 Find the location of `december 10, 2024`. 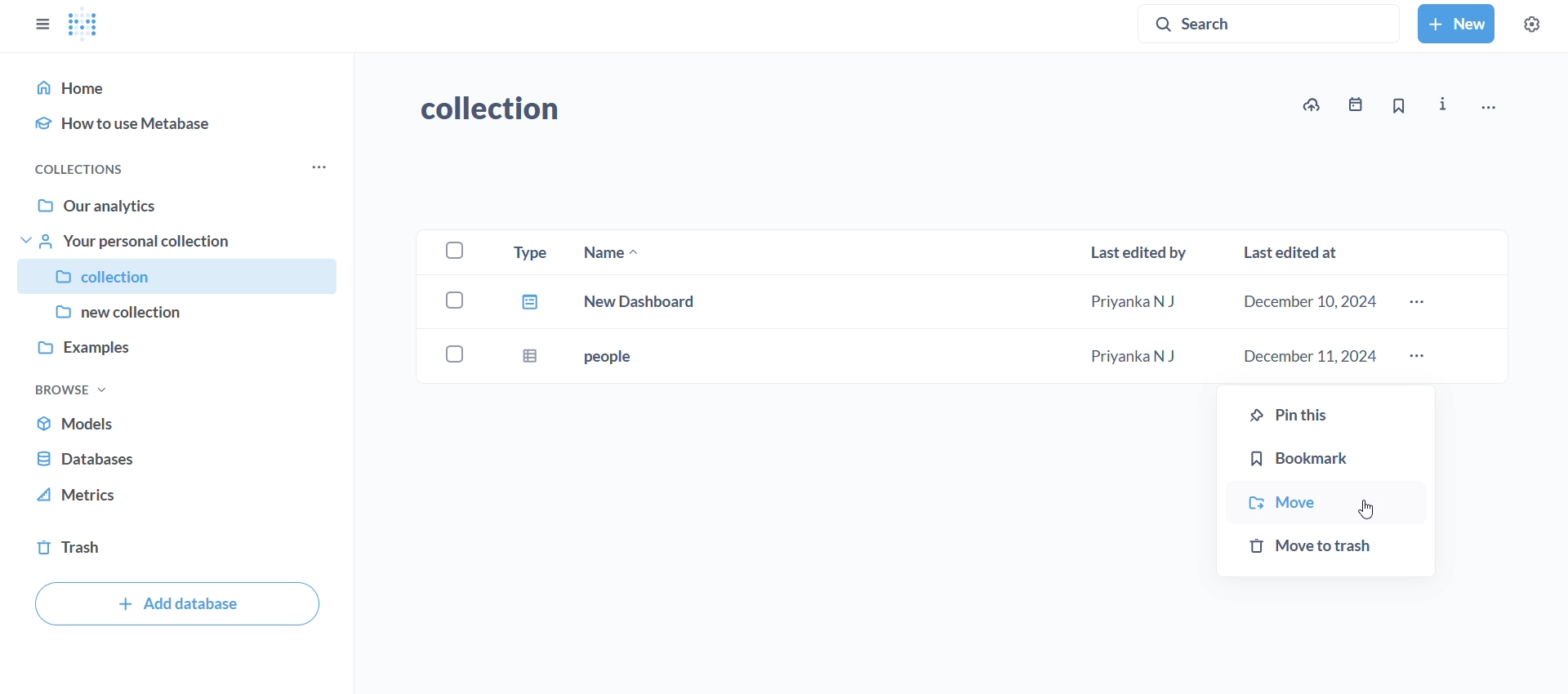

december 10, 2024 is located at coordinates (1315, 304).